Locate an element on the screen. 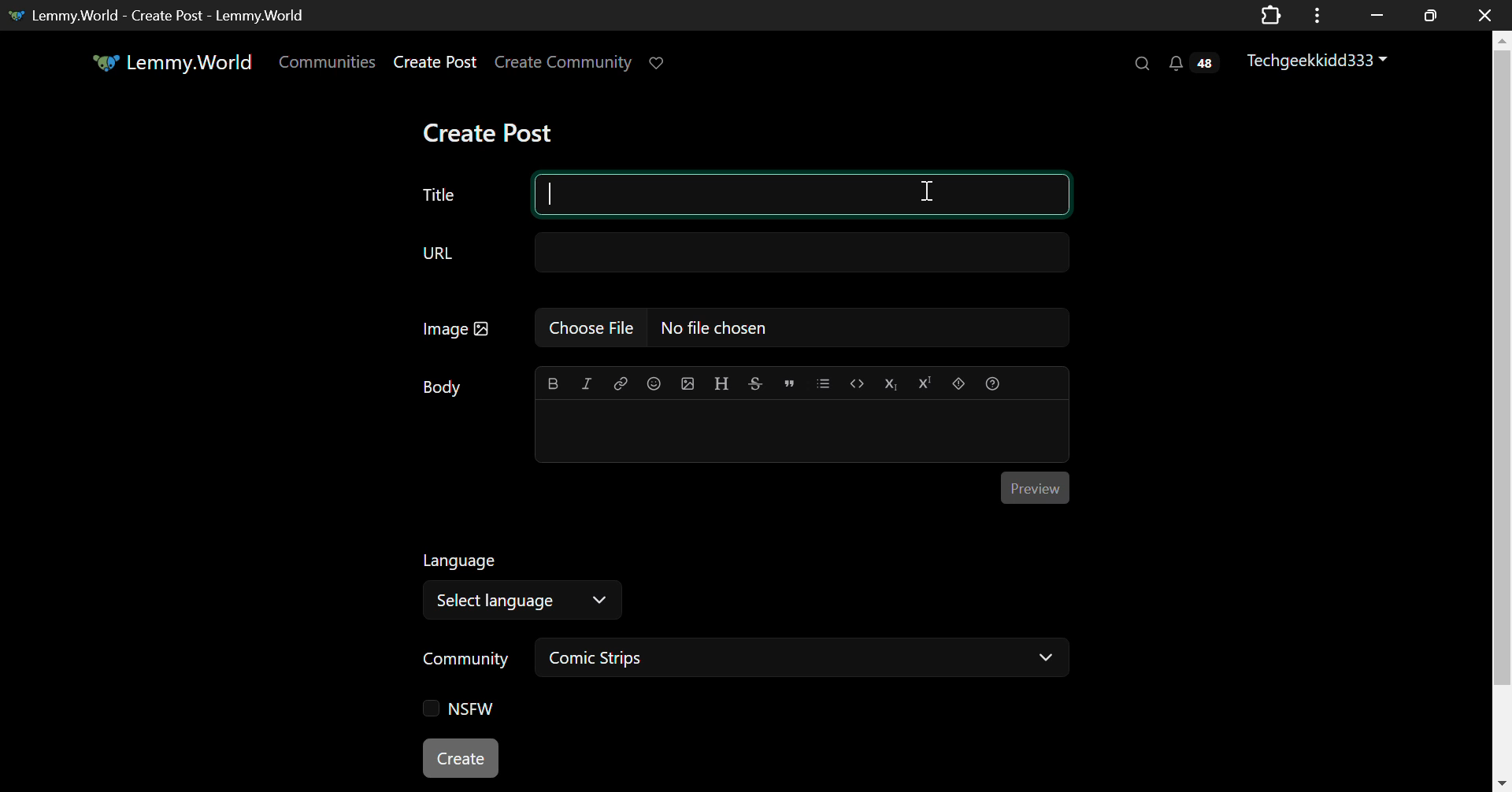  NSFW is located at coordinates (461, 710).